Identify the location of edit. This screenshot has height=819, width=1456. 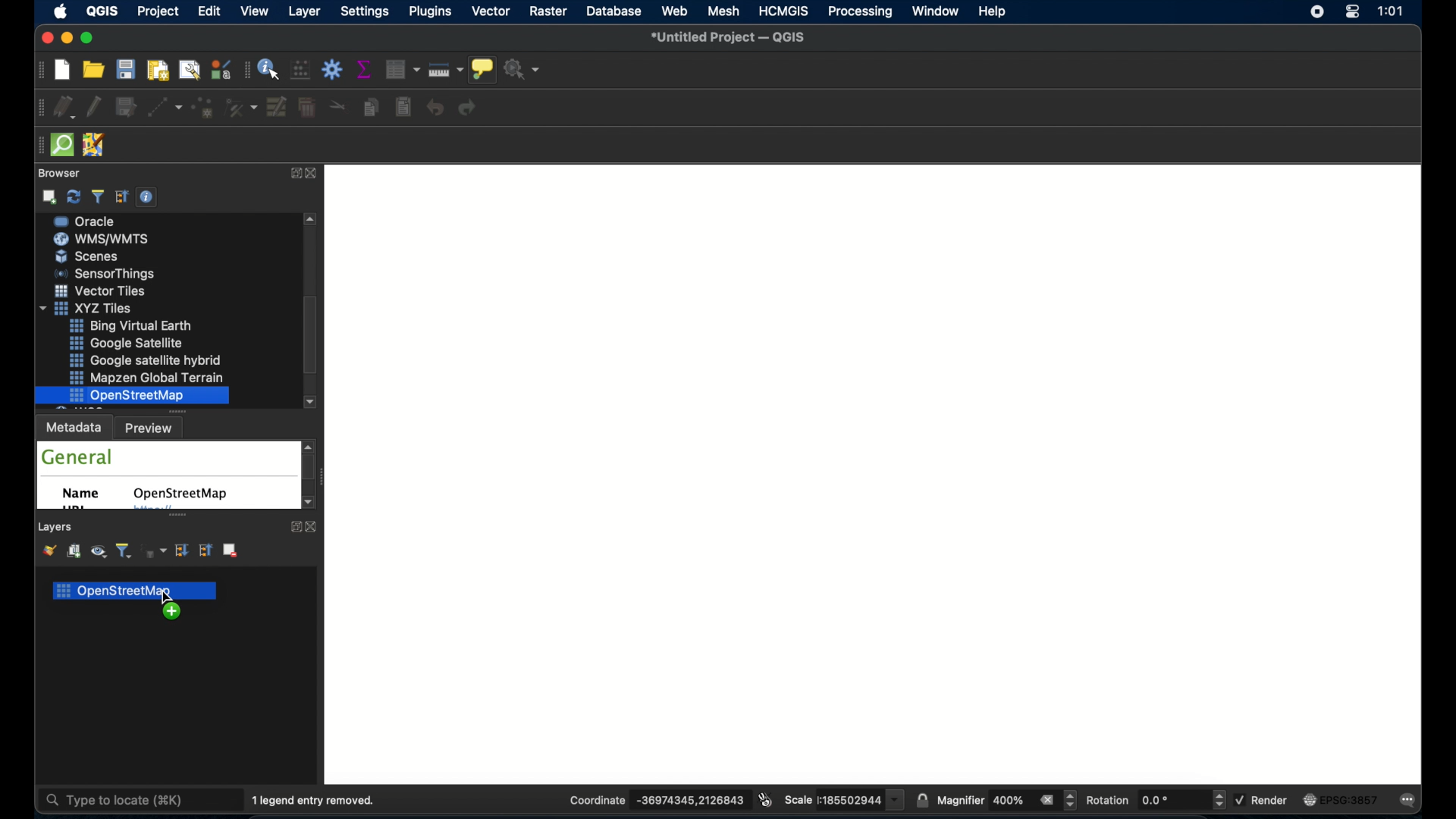
(209, 11).